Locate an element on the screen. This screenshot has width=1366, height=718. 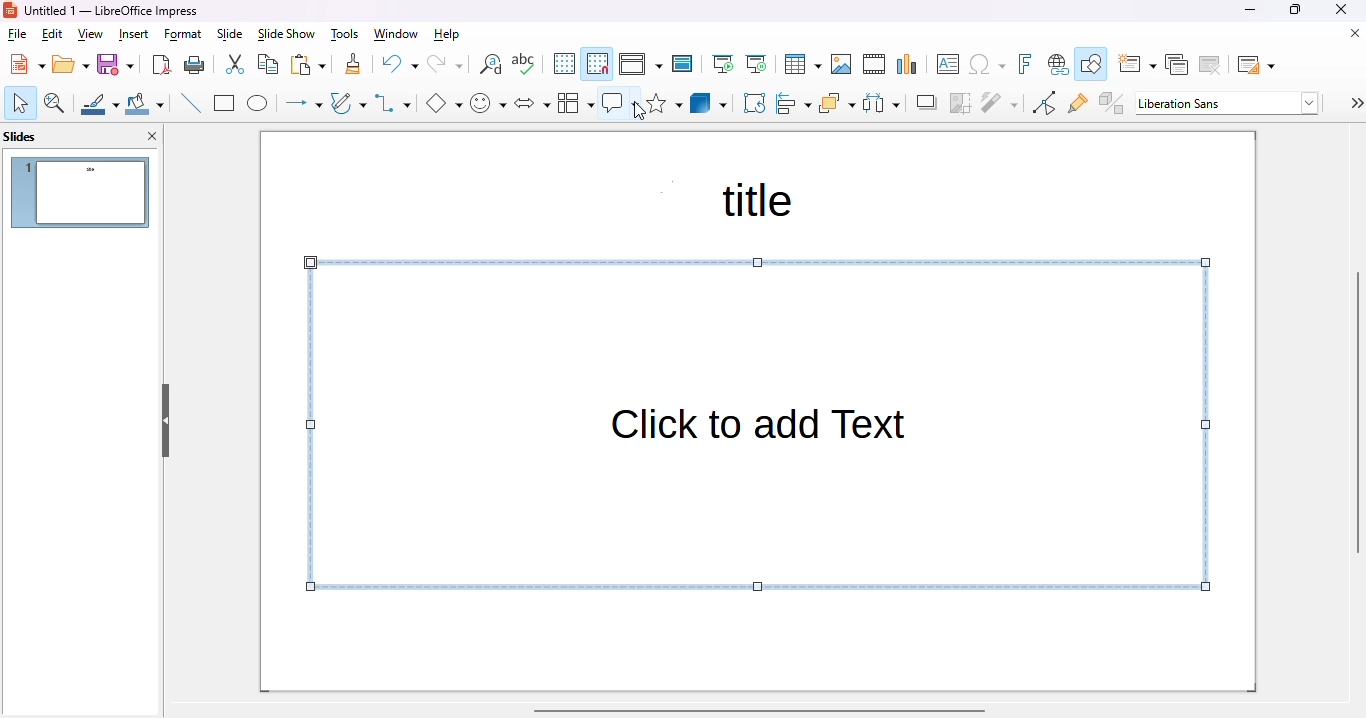
close document is located at coordinates (1351, 33).